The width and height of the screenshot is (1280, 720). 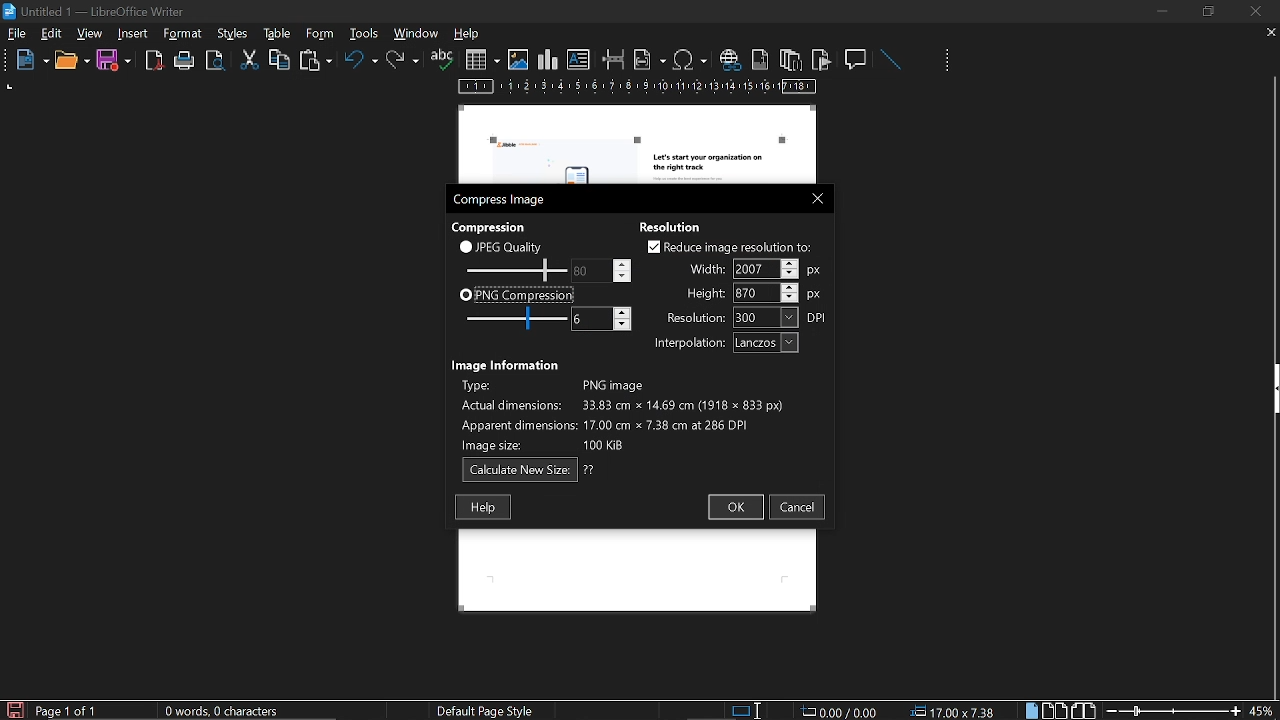 What do you see at coordinates (97, 10) in the screenshot?
I see `current window` at bounding box center [97, 10].